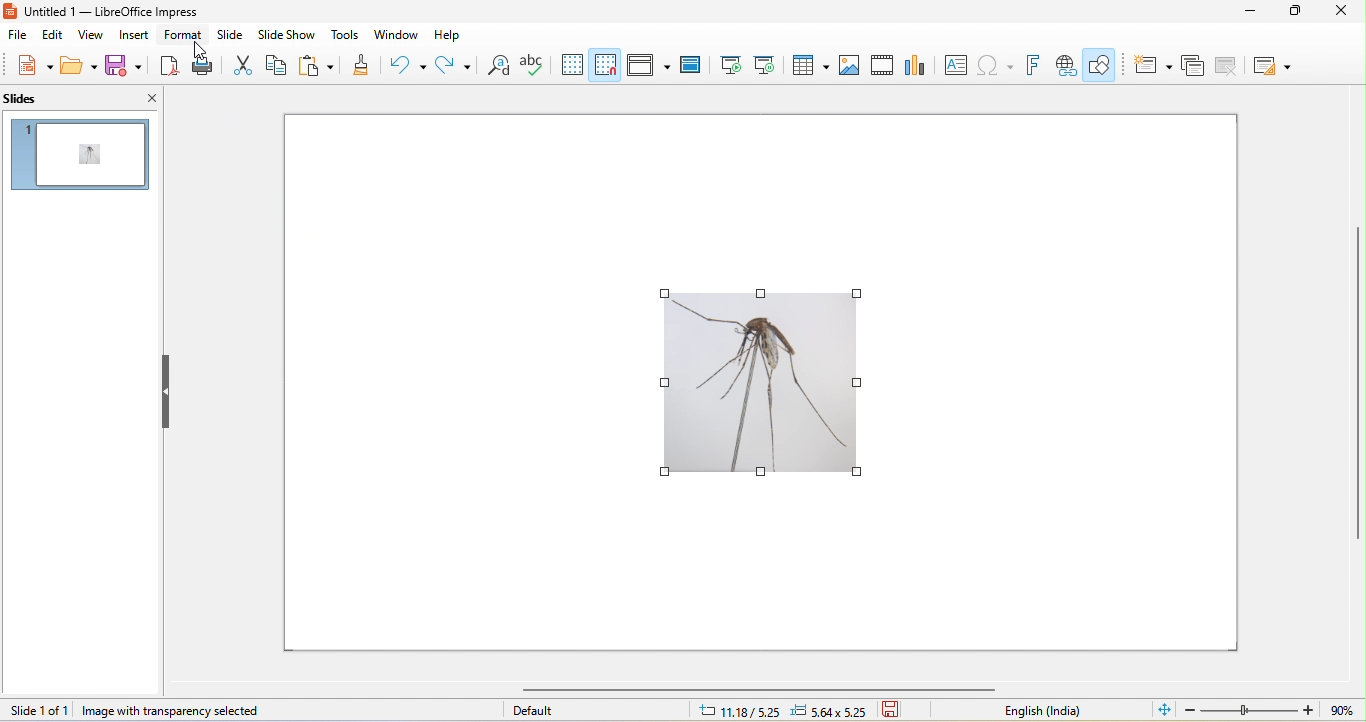 The image size is (1366, 722). Describe the element at coordinates (315, 64) in the screenshot. I see `paste` at that location.